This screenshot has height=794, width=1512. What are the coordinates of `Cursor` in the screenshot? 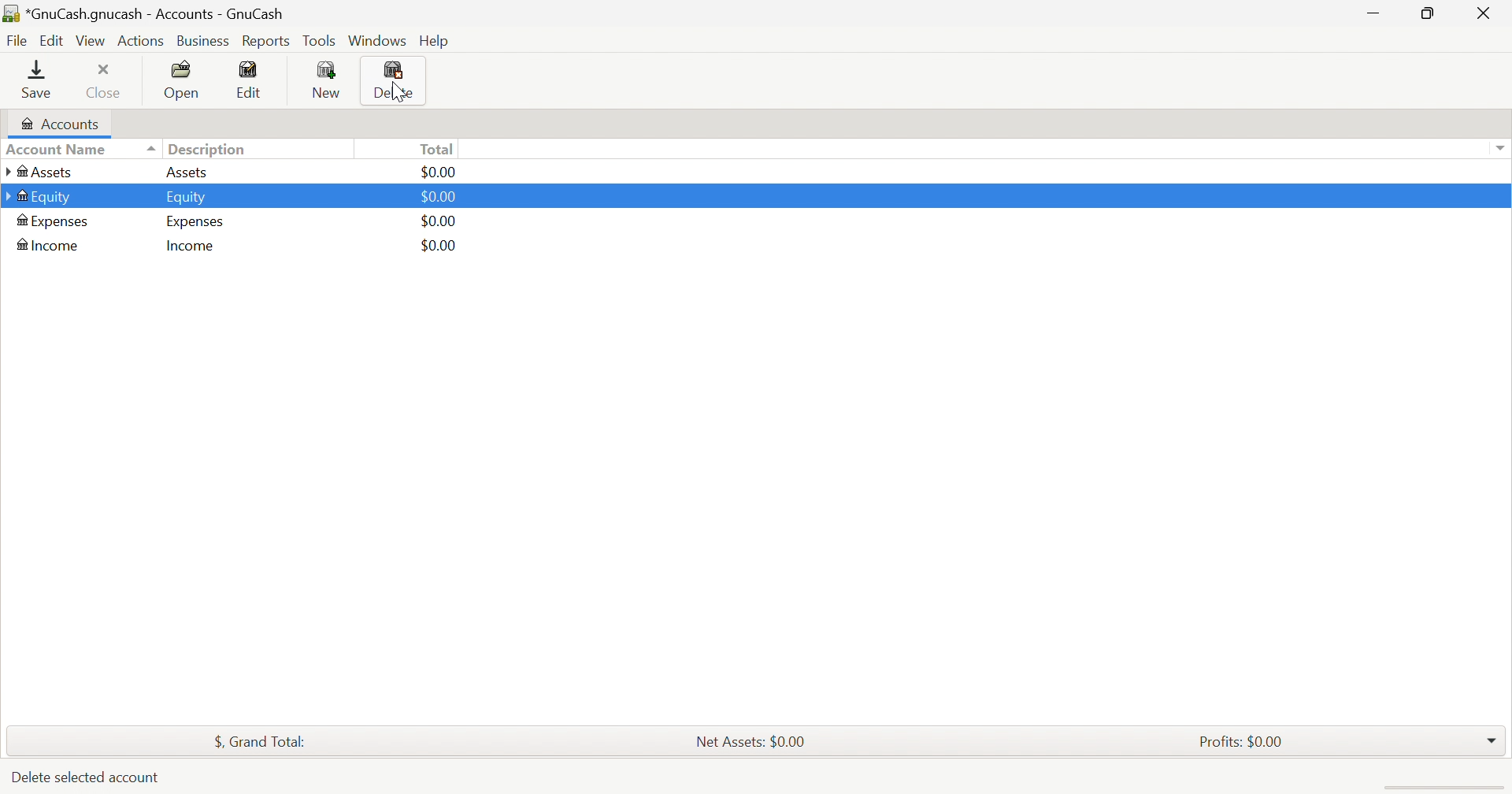 It's located at (401, 88).